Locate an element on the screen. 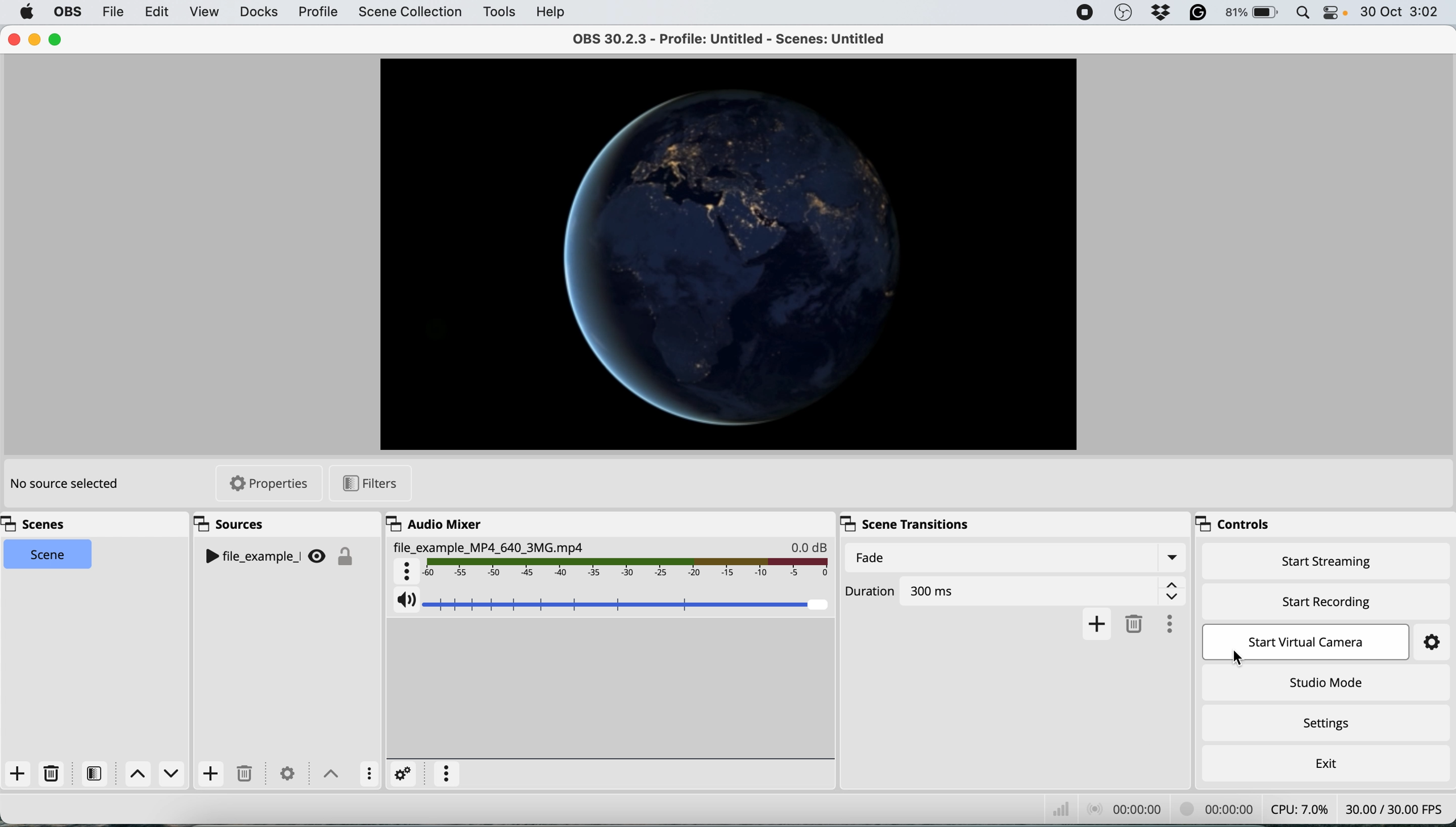 The width and height of the screenshot is (1456, 827). frames per second is located at coordinates (1397, 809).